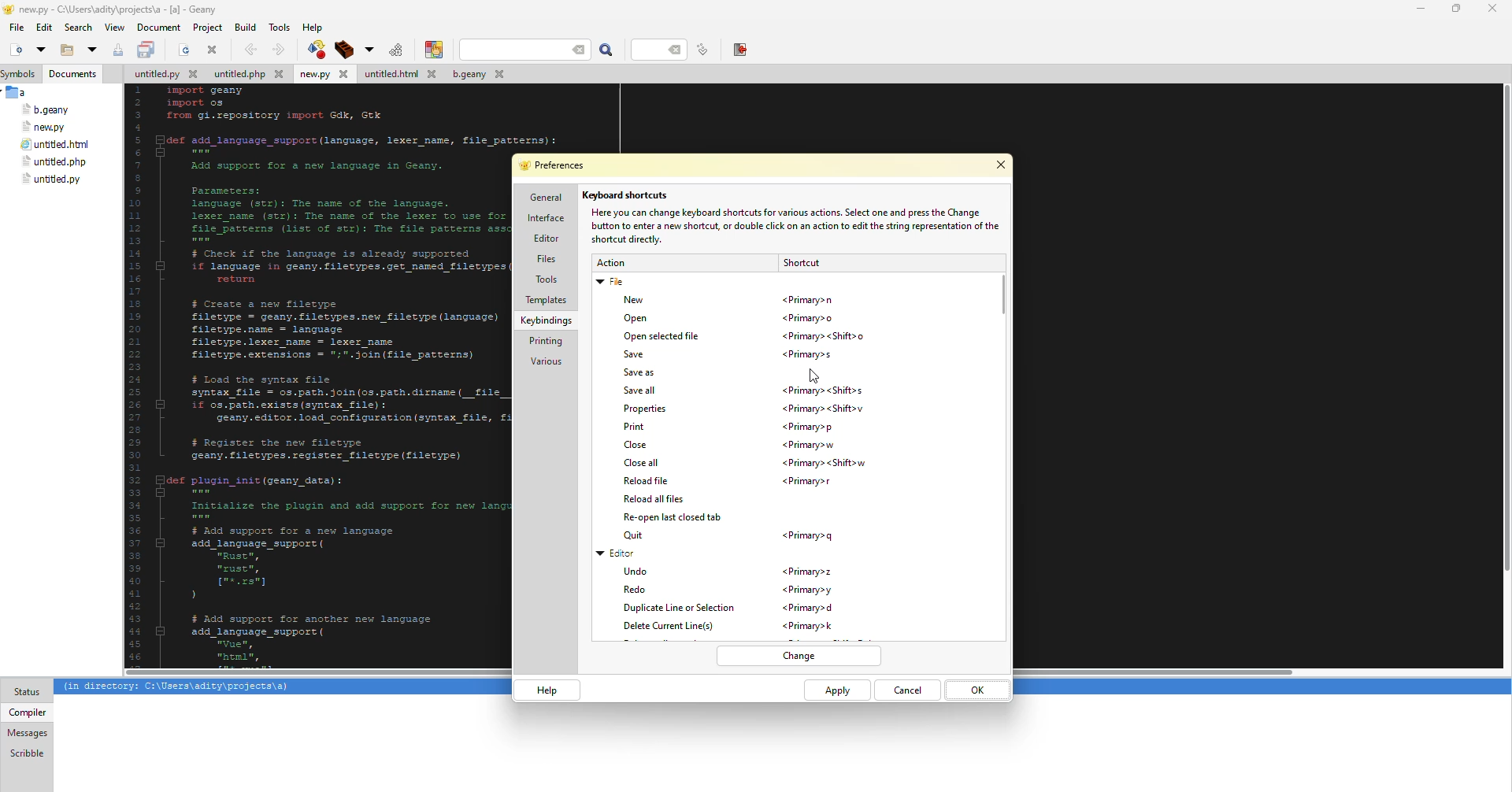 The image size is (1512, 792). I want to click on properties, so click(646, 409).